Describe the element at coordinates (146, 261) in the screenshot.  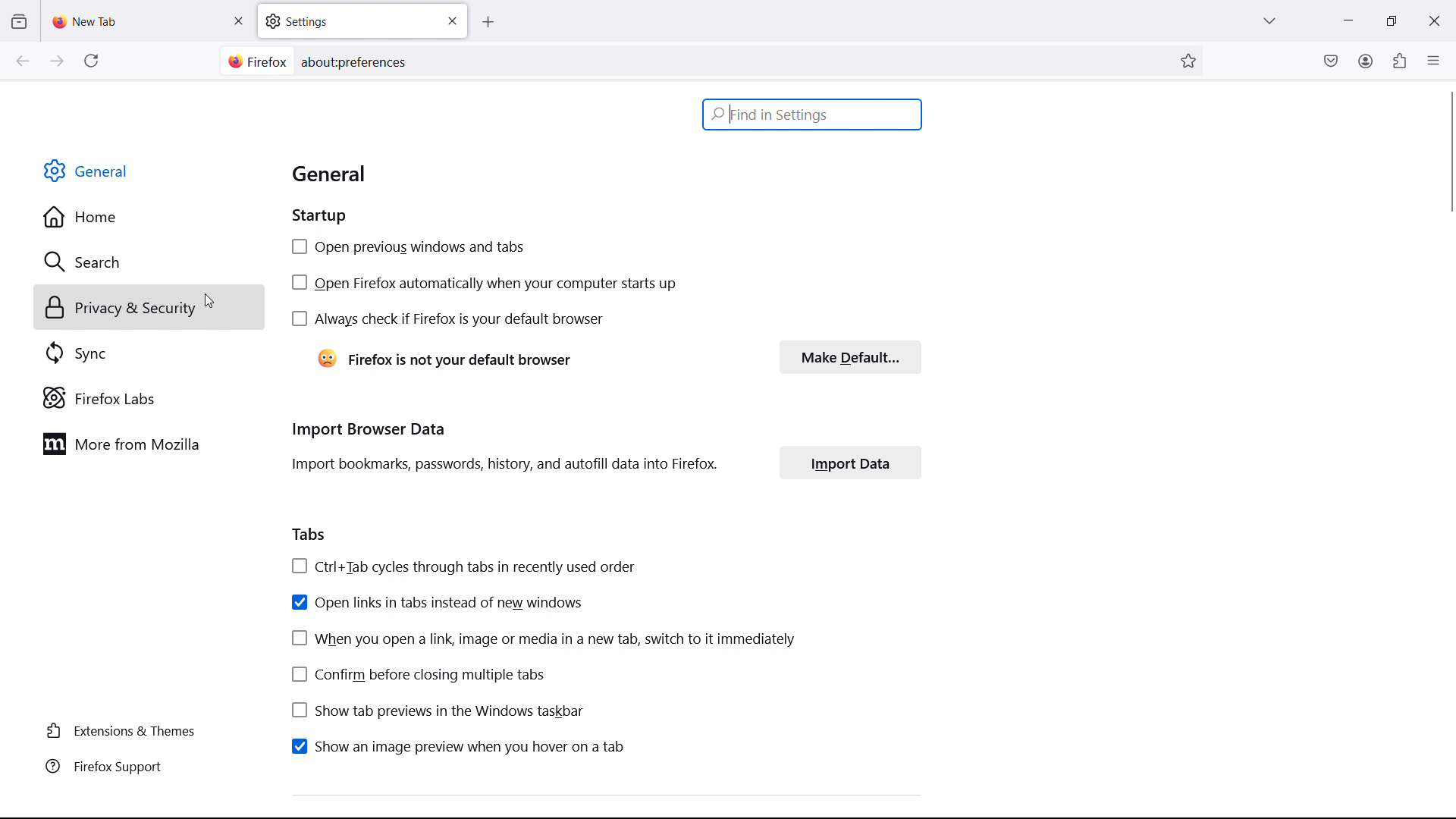
I see `search` at that location.